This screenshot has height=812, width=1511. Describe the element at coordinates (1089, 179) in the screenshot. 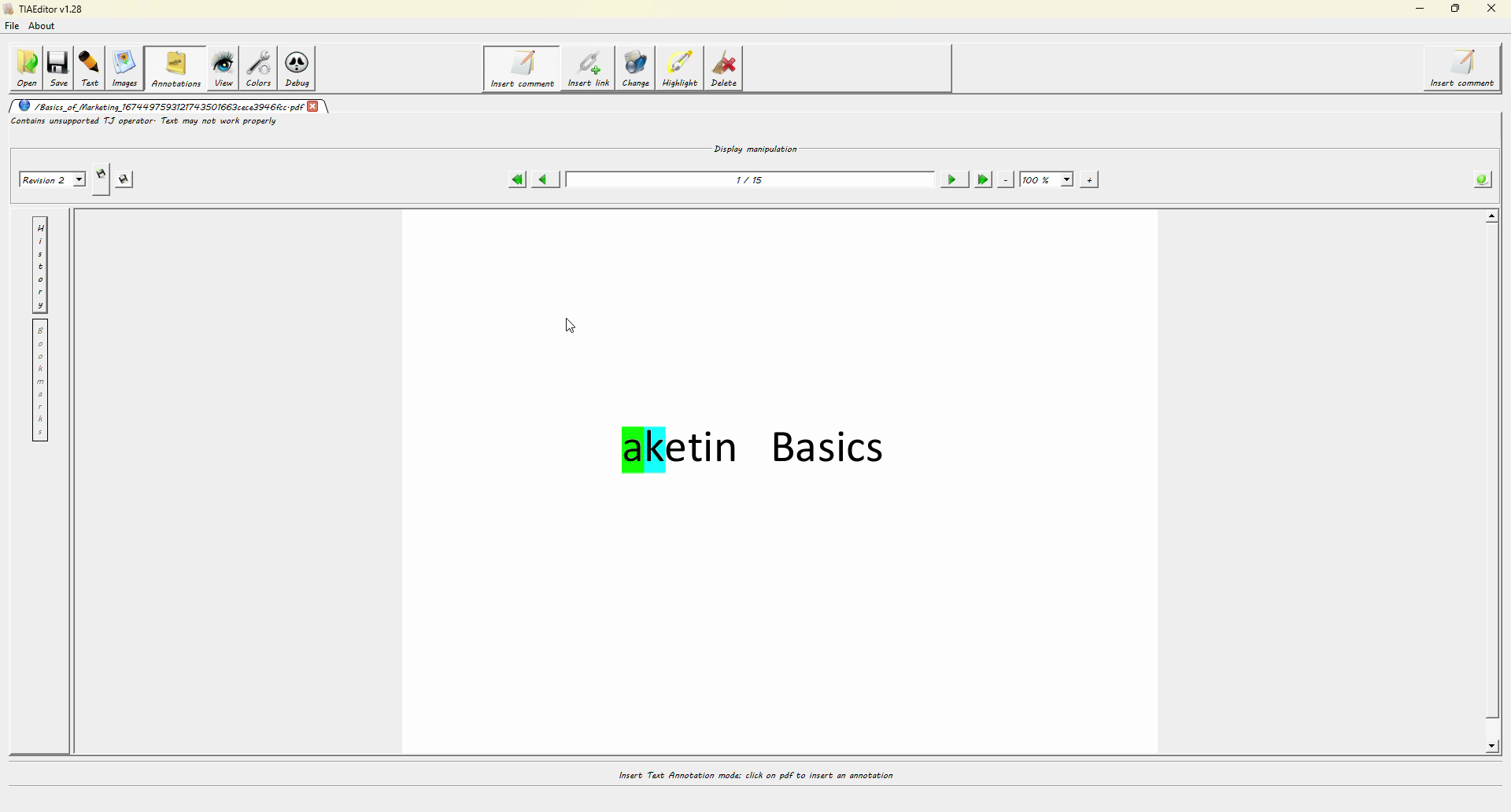

I see `zoom in` at that location.